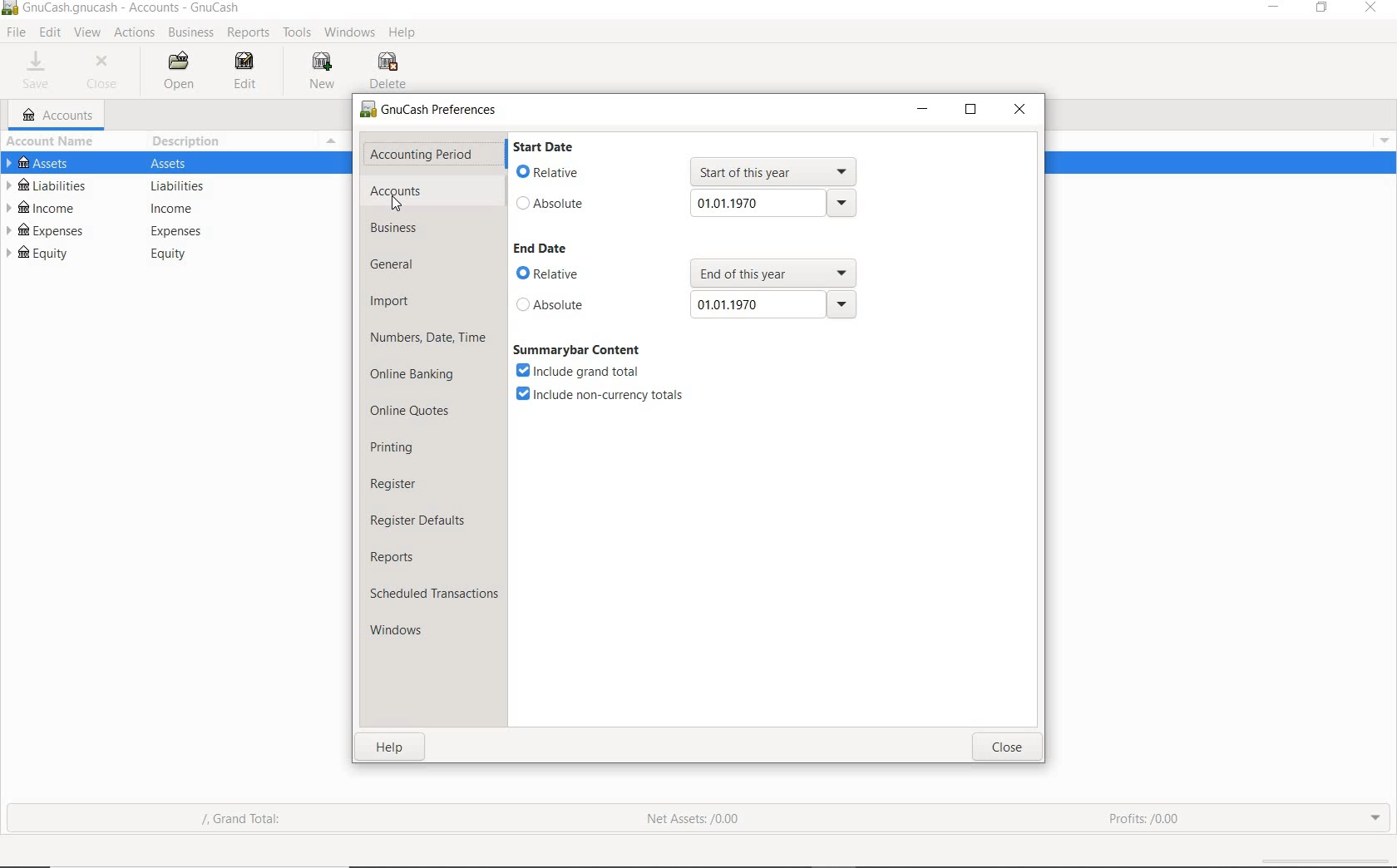  Describe the element at coordinates (971, 111) in the screenshot. I see `restore down` at that location.